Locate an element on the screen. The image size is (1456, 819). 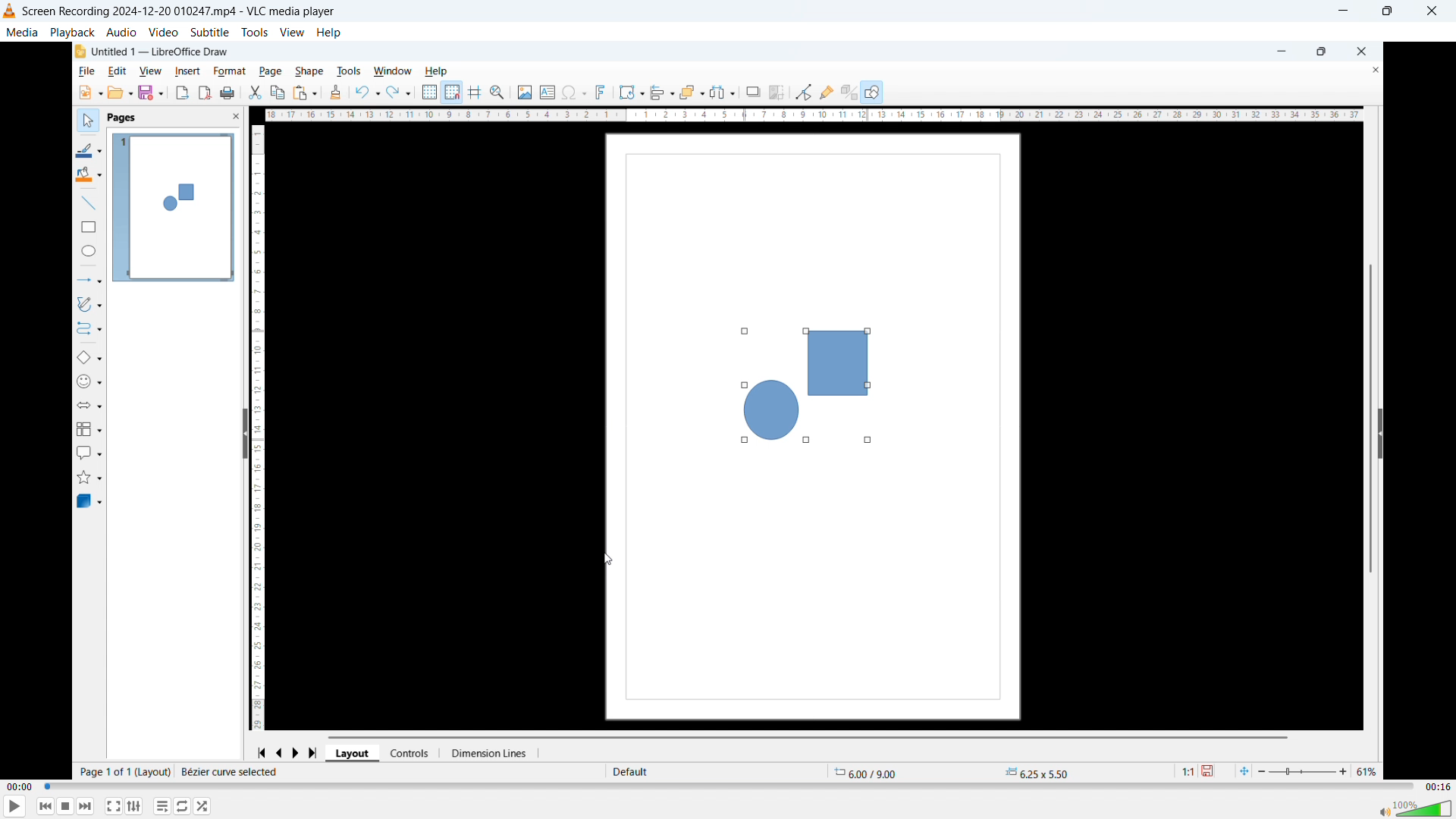
Media  is located at coordinates (23, 32).